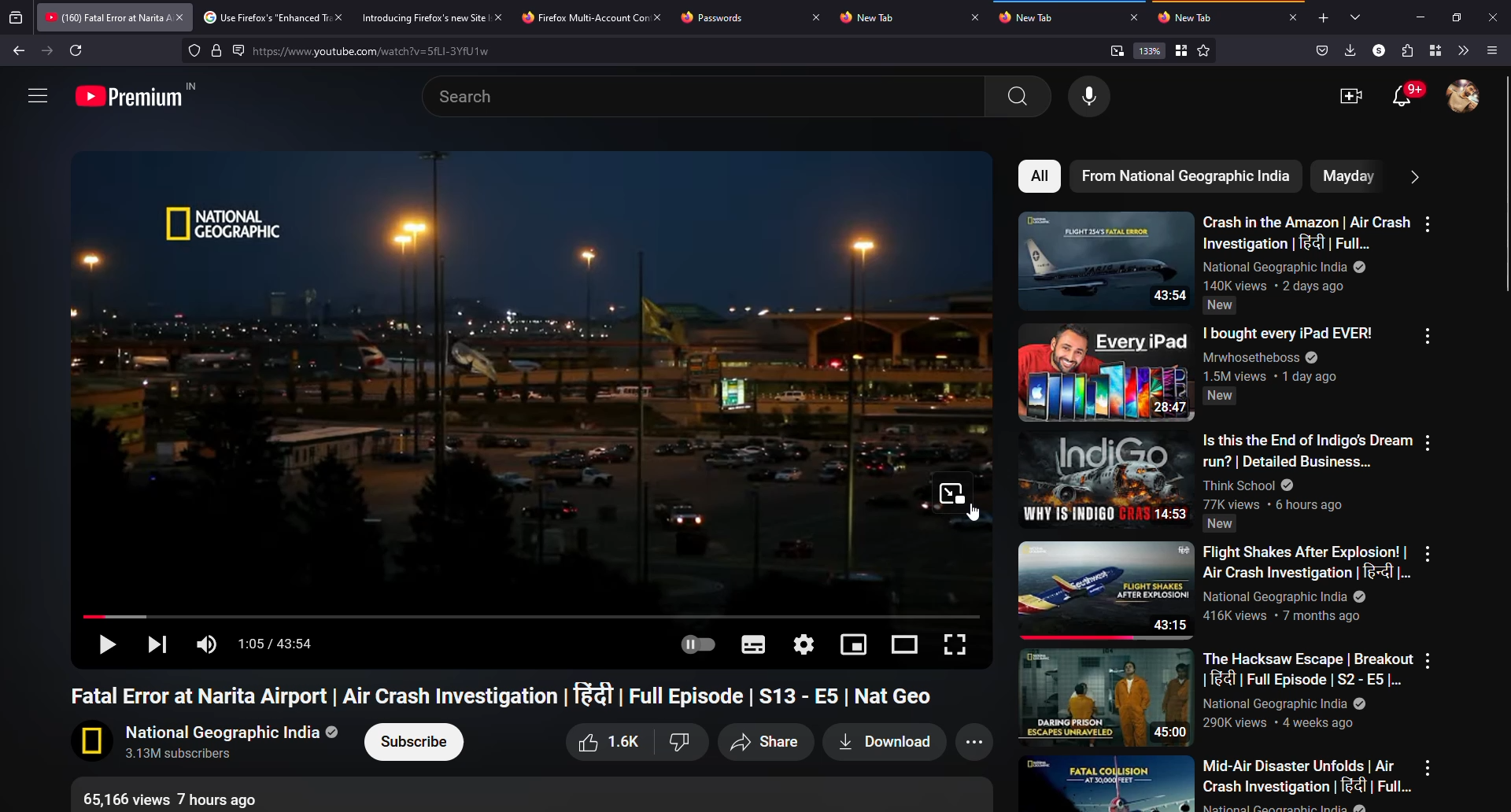 This screenshot has width=1511, height=812. Describe the element at coordinates (806, 643) in the screenshot. I see `settings` at that location.